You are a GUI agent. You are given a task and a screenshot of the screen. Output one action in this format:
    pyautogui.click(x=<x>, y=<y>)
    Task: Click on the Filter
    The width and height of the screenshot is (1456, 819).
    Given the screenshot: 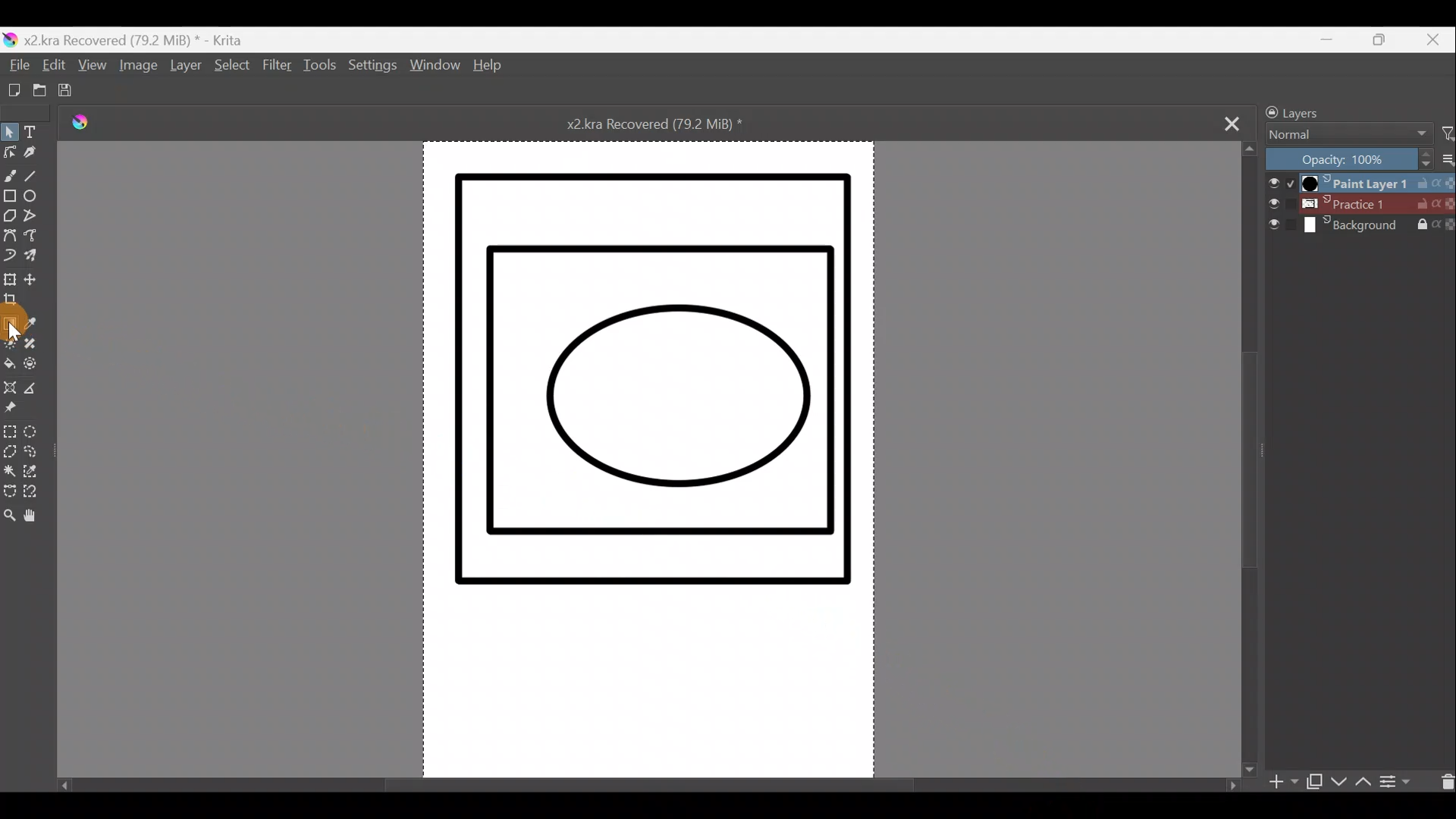 What is the action you would take?
    pyautogui.click(x=1447, y=134)
    